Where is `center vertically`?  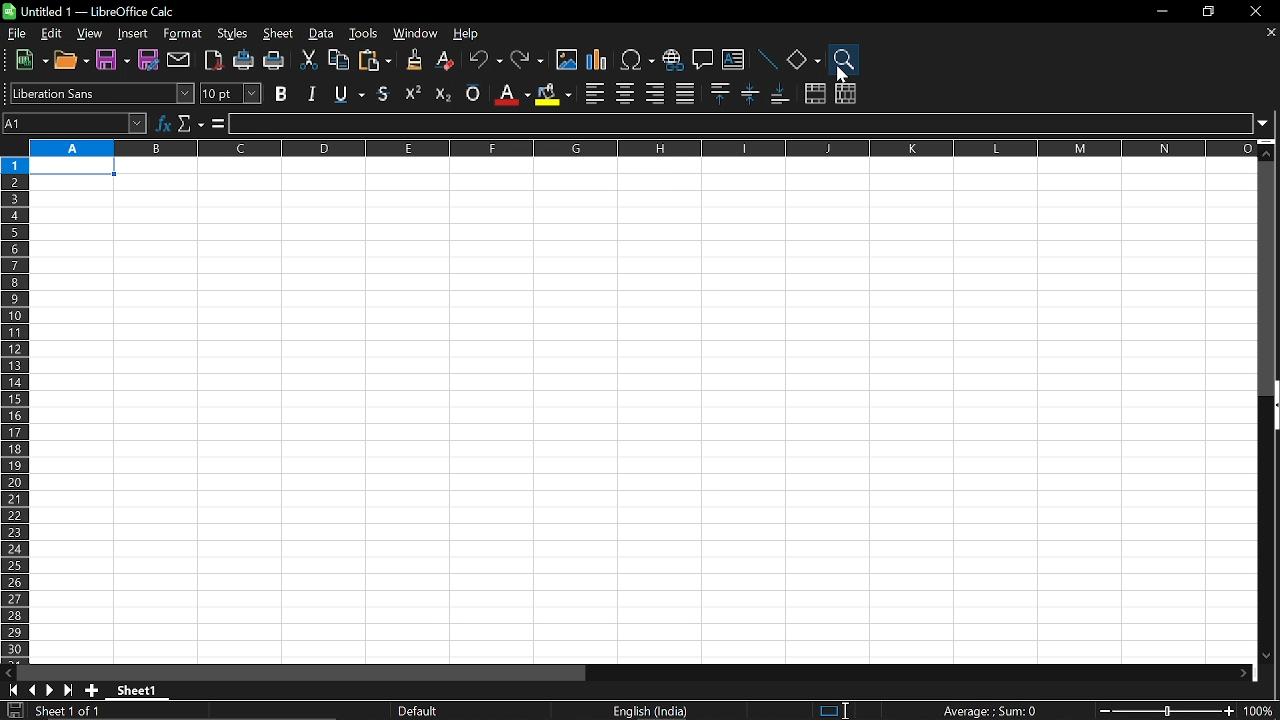 center vertically is located at coordinates (750, 93).